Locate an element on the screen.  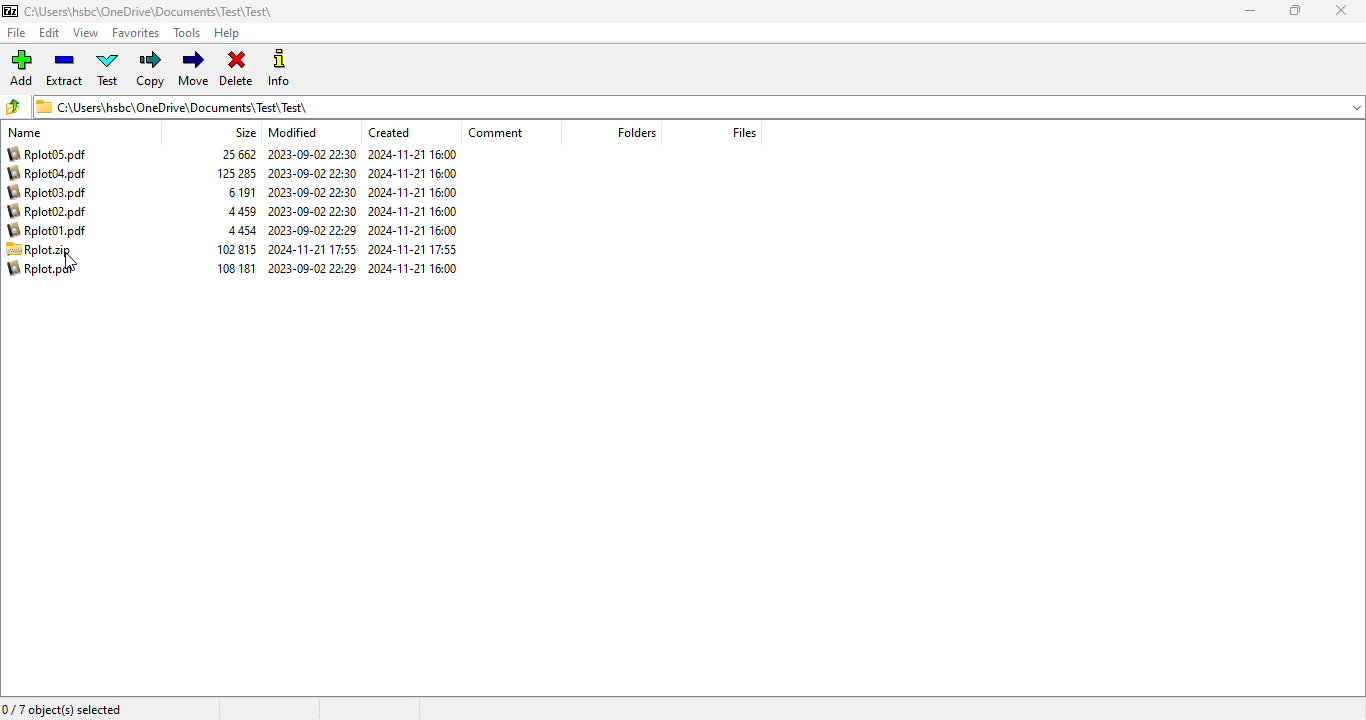
file is located at coordinates (16, 33).